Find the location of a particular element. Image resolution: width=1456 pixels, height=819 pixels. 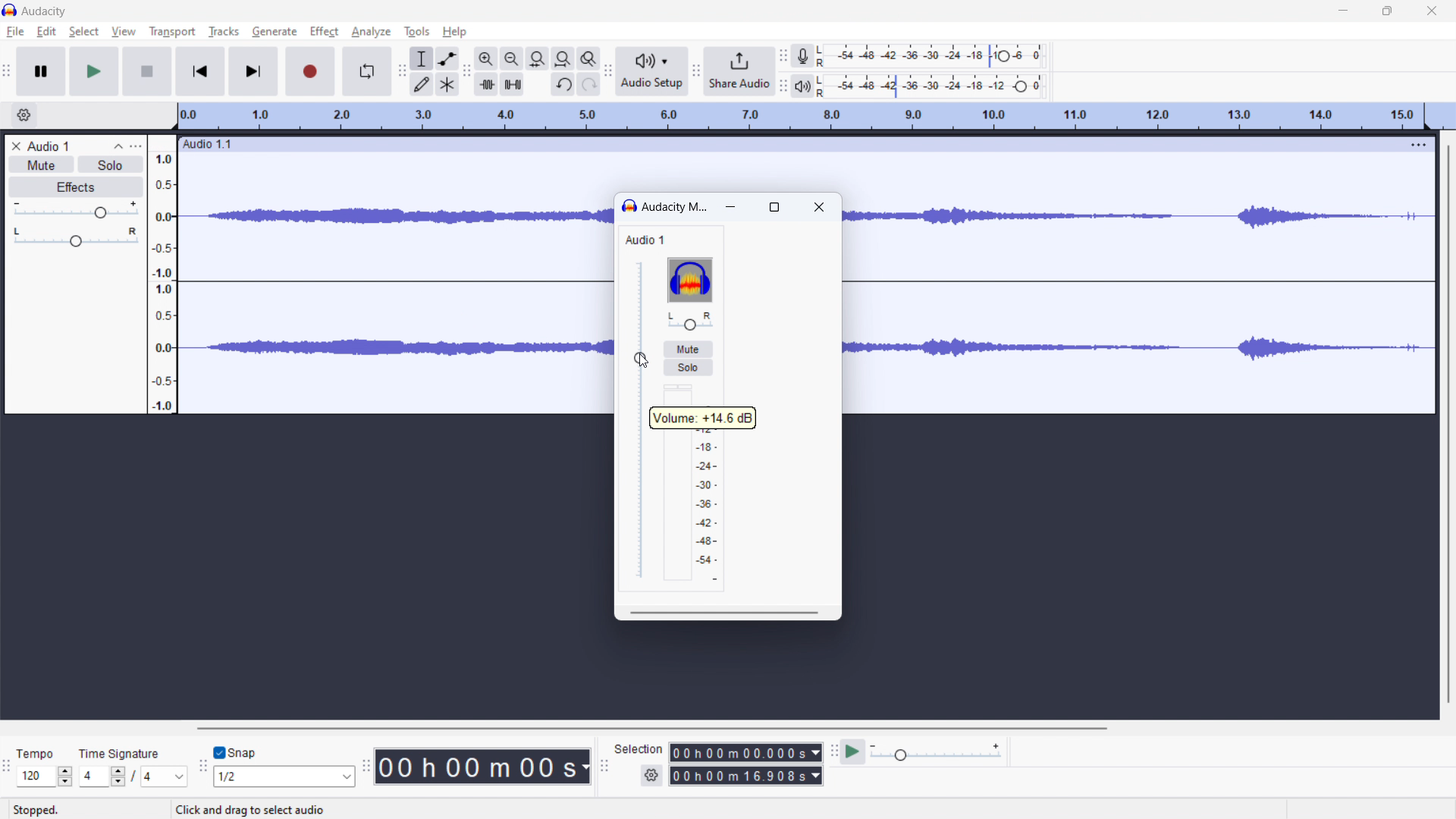

generate is located at coordinates (275, 31).